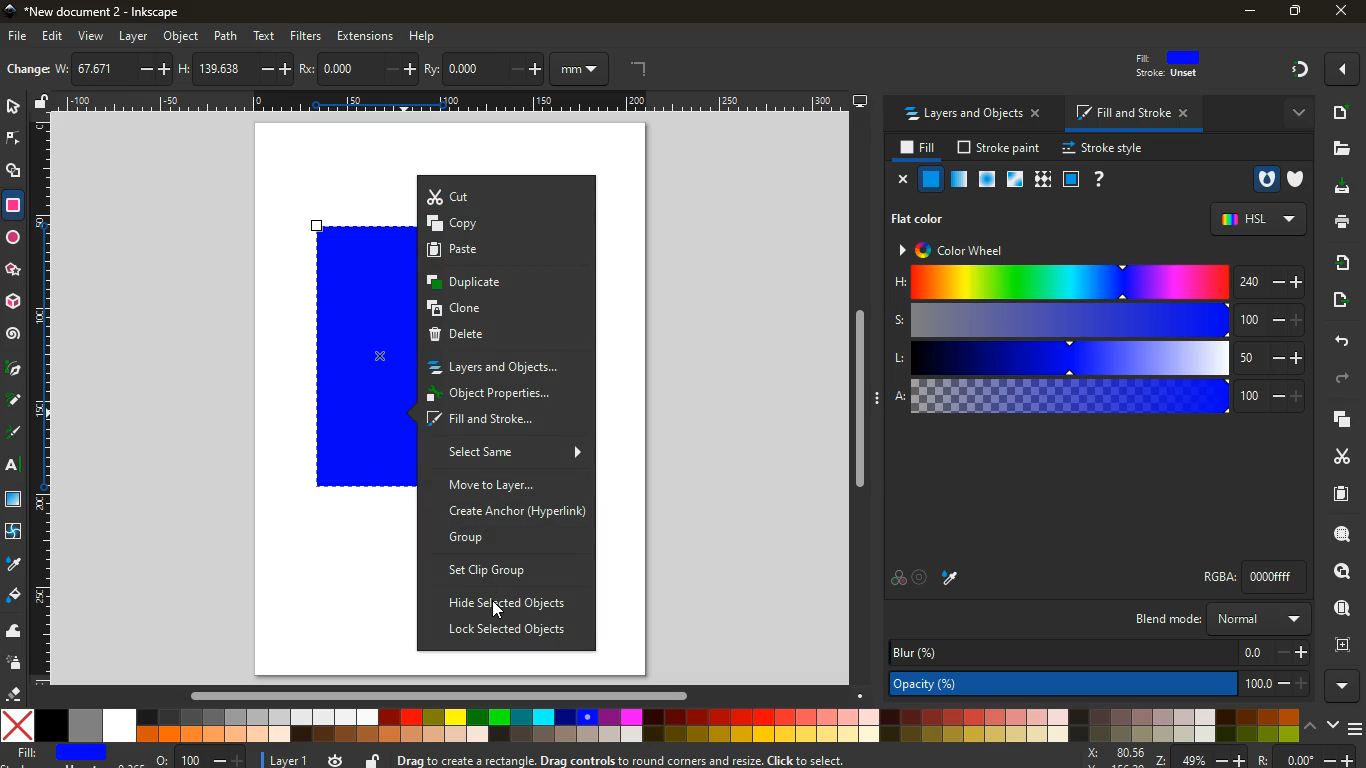  I want to click on select, so click(10, 108).